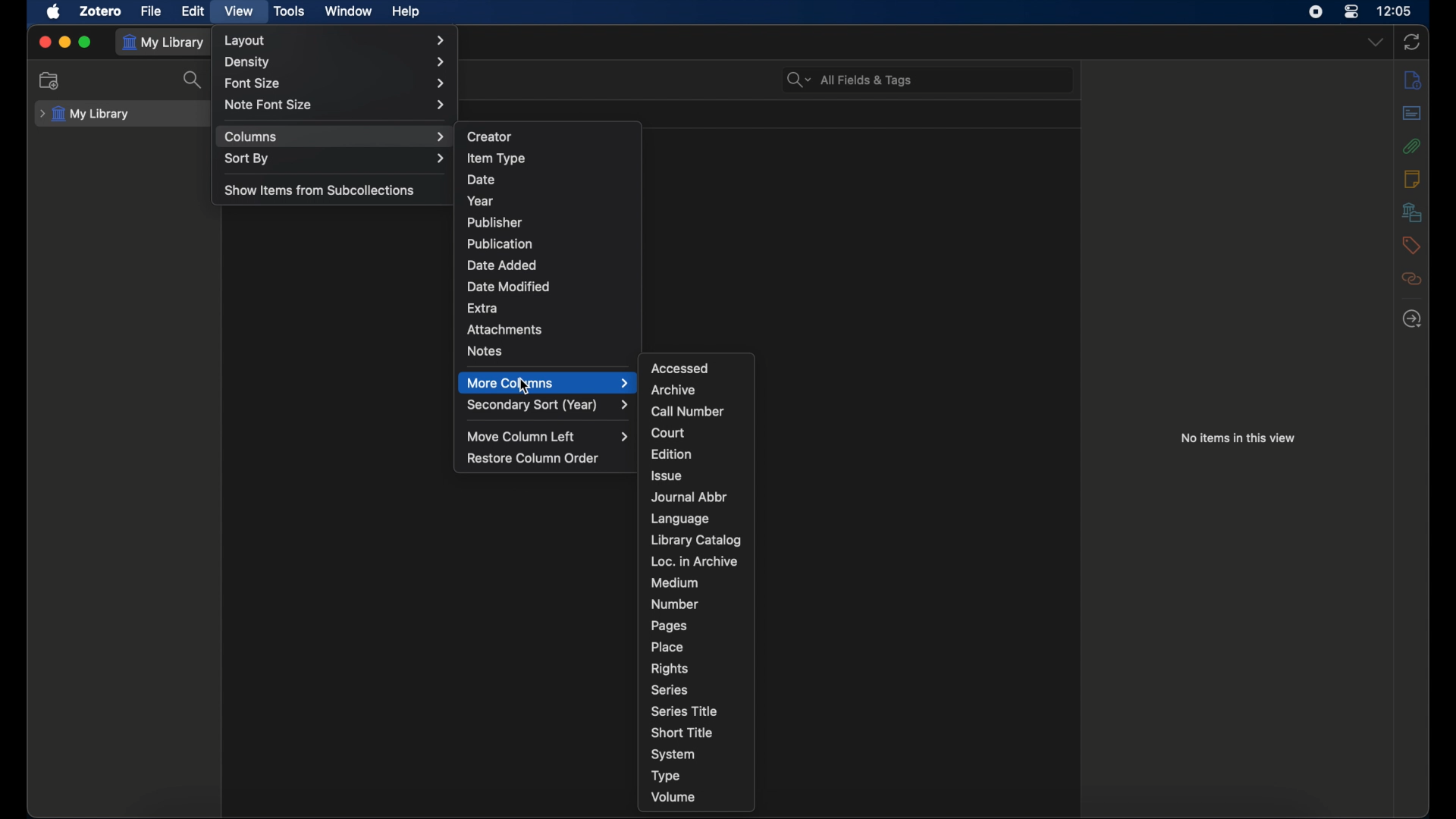  Describe the element at coordinates (669, 669) in the screenshot. I see `rights` at that location.